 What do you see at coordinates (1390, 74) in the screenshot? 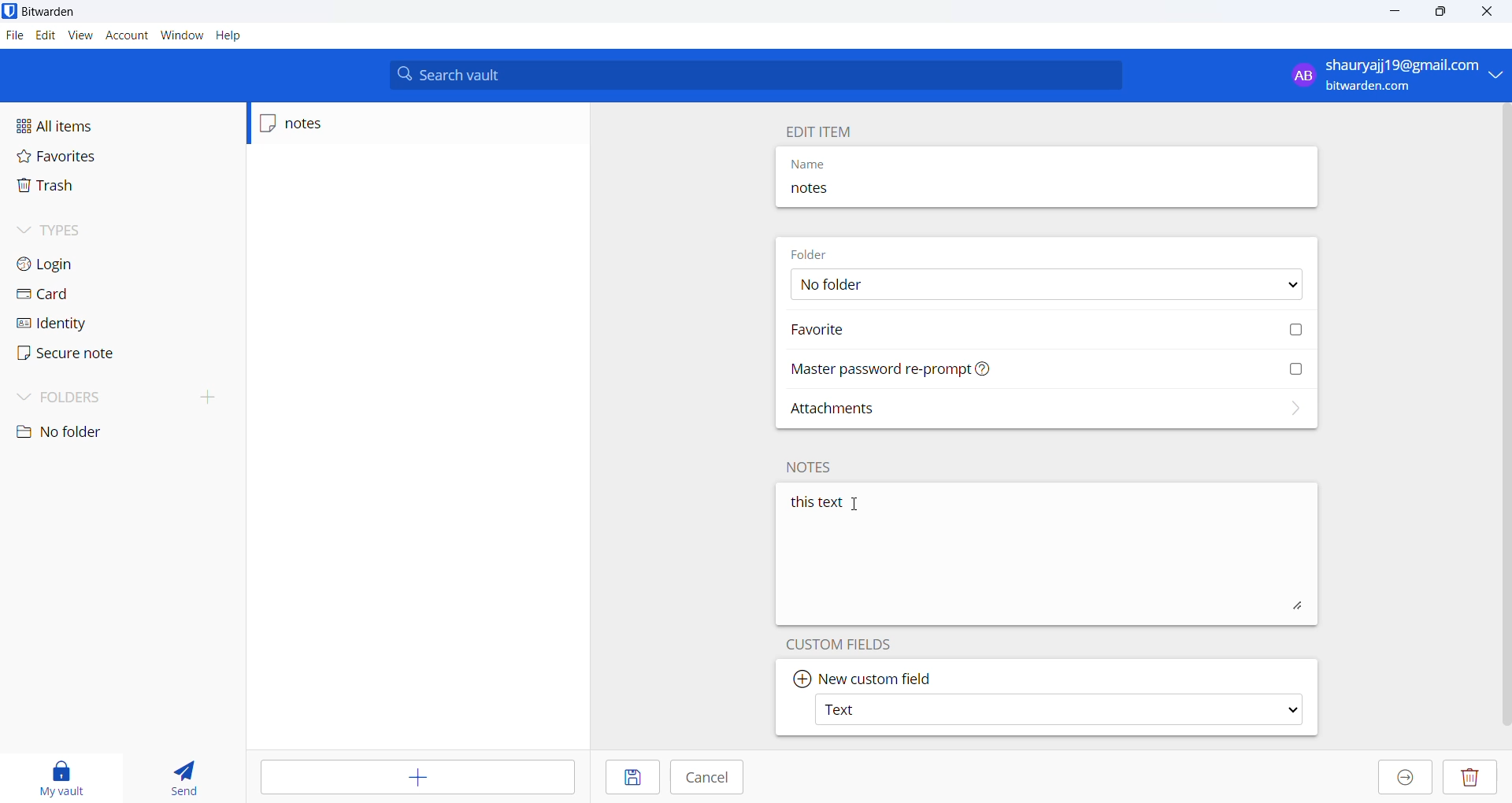
I see `shauryaji19@gmail.com bitwarden.com` at bounding box center [1390, 74].